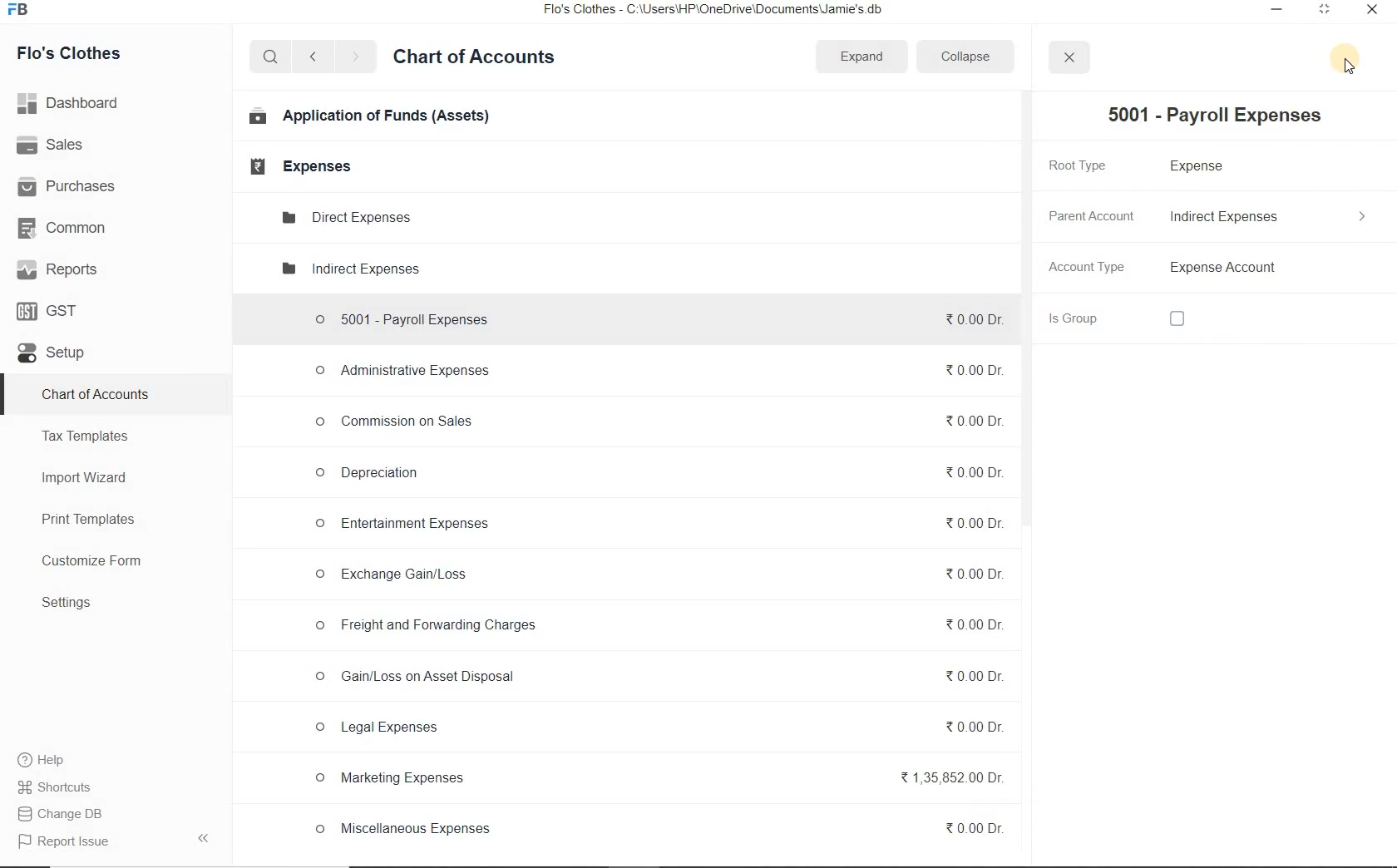 Image resolution: width=1397 pixels, height=868 pixels. I want to click on Account Type, so click(1273, 269).